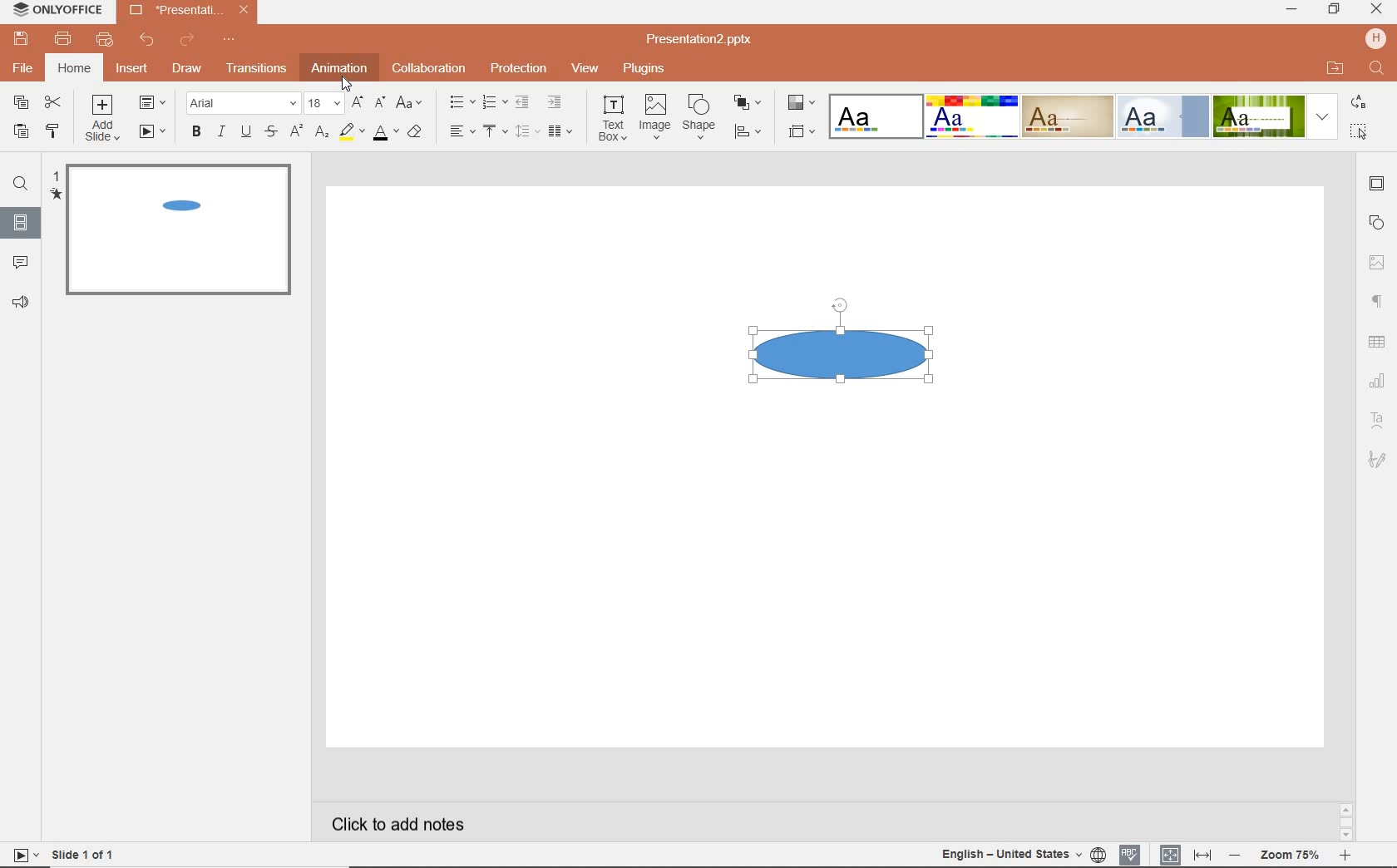  What do you see at coordinates (270, 131) in the screenshot?
I see `strikethrough` at bounding box center [270, 131].